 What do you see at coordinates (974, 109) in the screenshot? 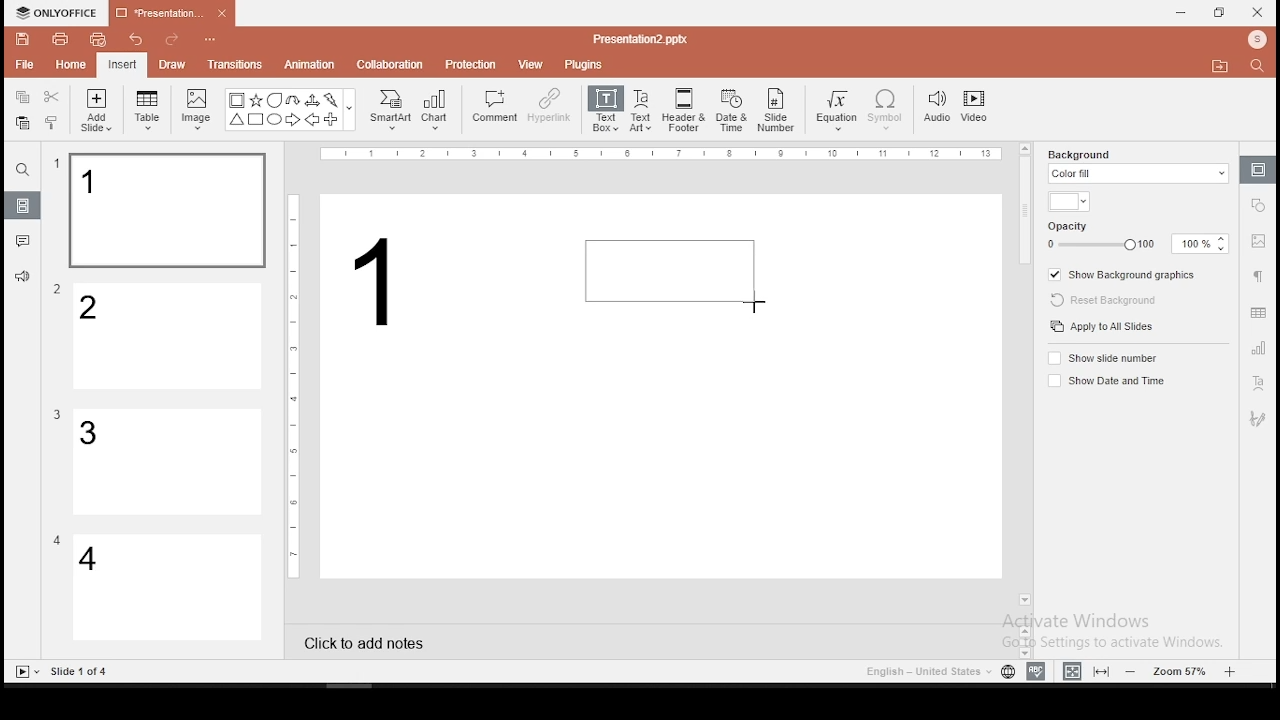
I see `video` at bounding box center [974, 109].